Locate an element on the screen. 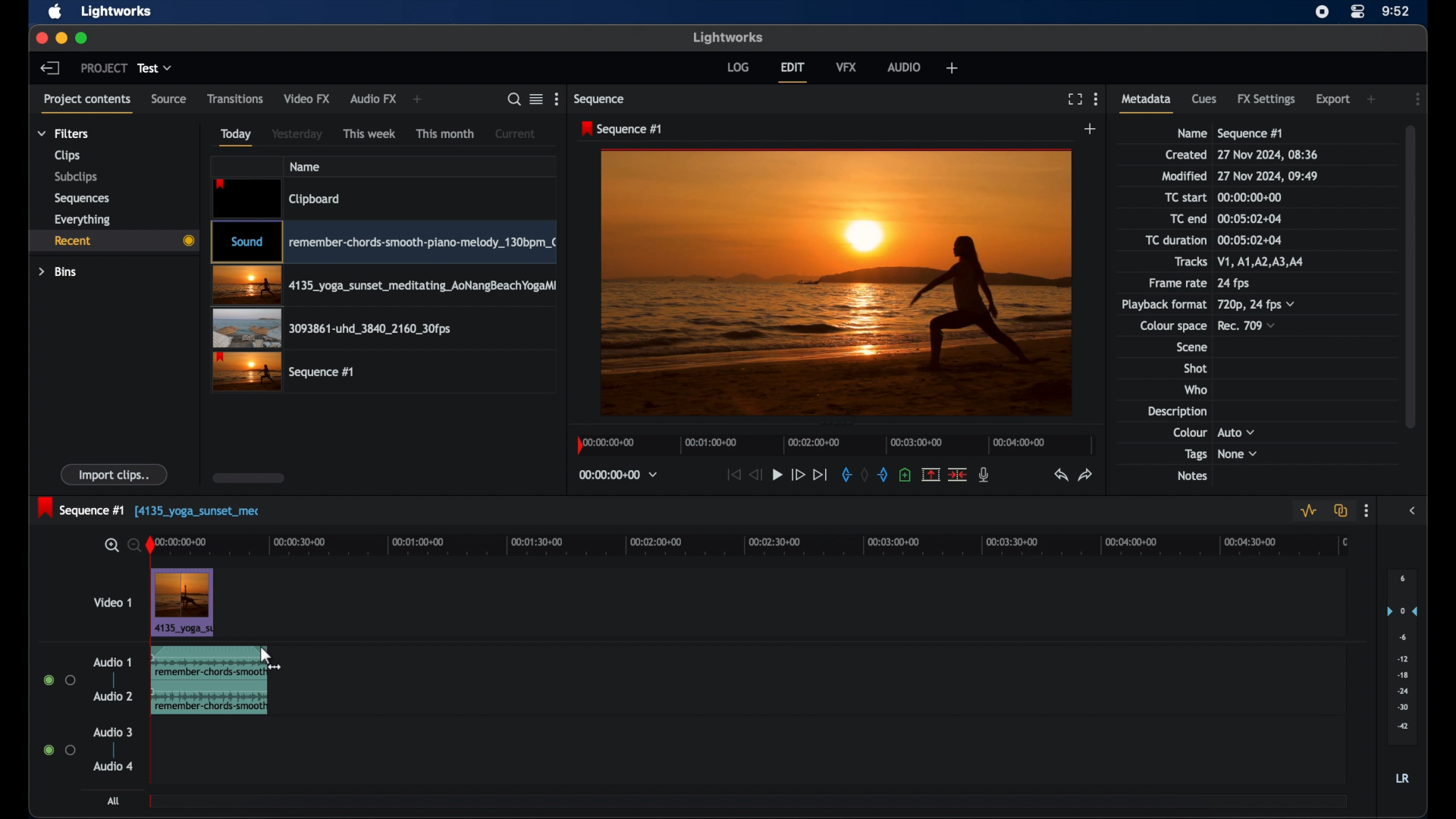 Image resolution: width=1456 pixels, height=819 pixels. current is located at coordinates (517, 133).